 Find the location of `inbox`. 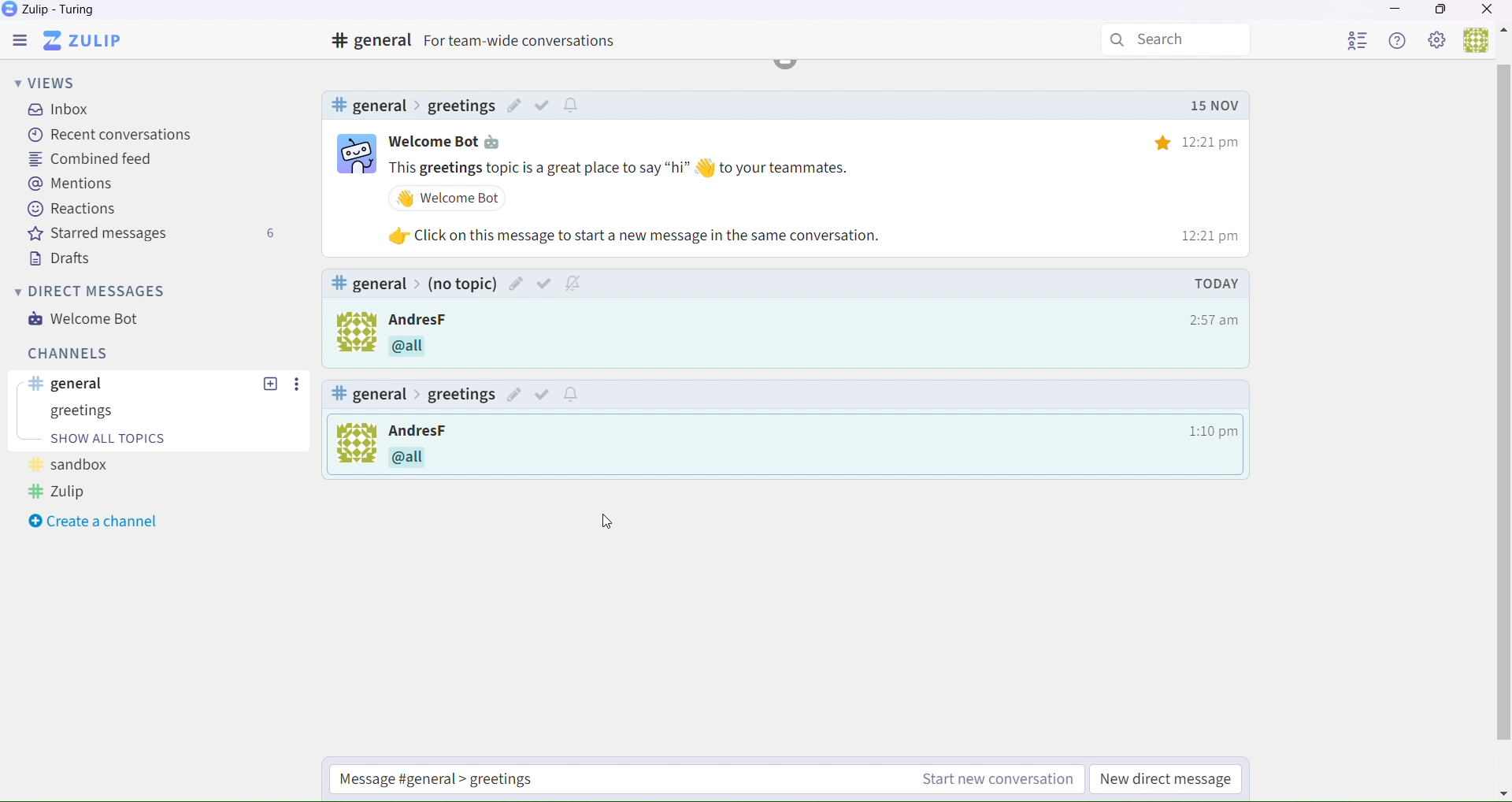

inbox is located at coordinates (63, 111).